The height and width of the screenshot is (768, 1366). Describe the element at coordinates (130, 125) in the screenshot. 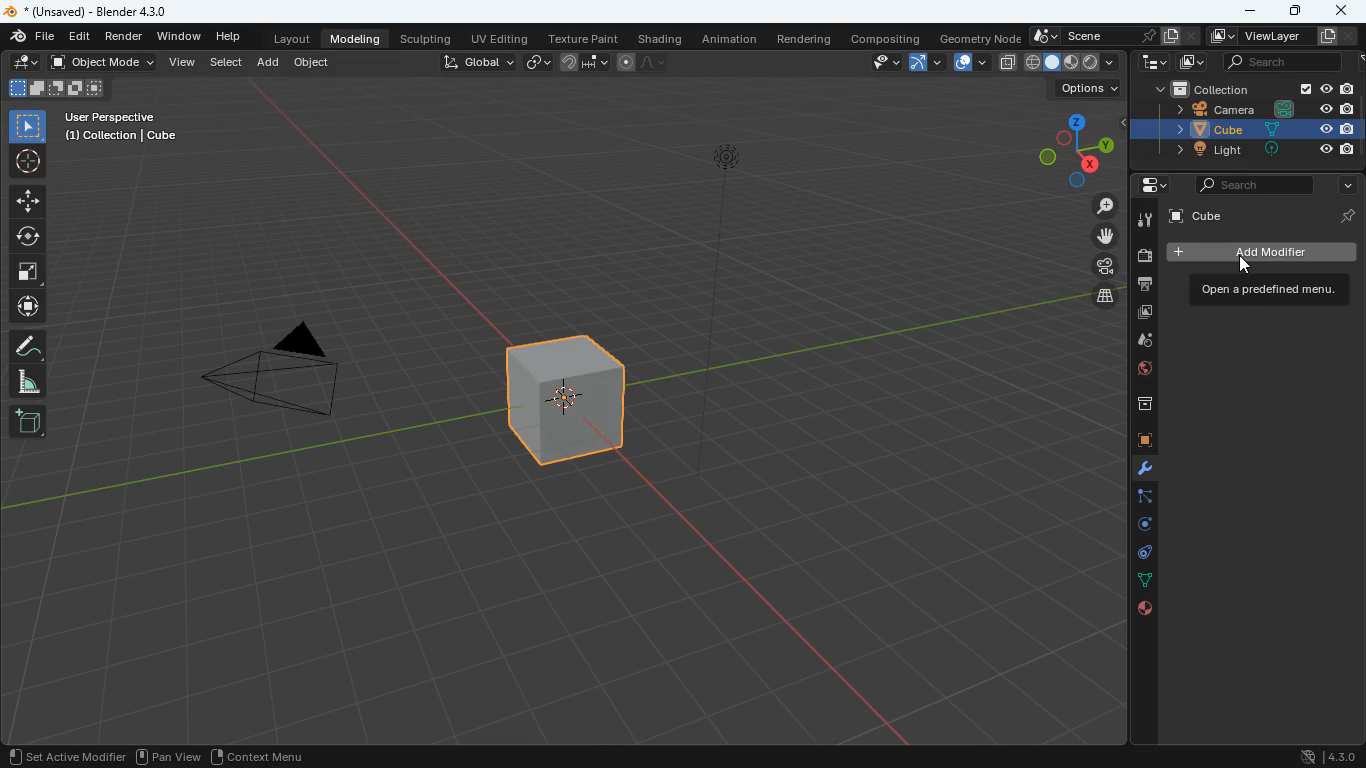

I see `user perspective` at that location.